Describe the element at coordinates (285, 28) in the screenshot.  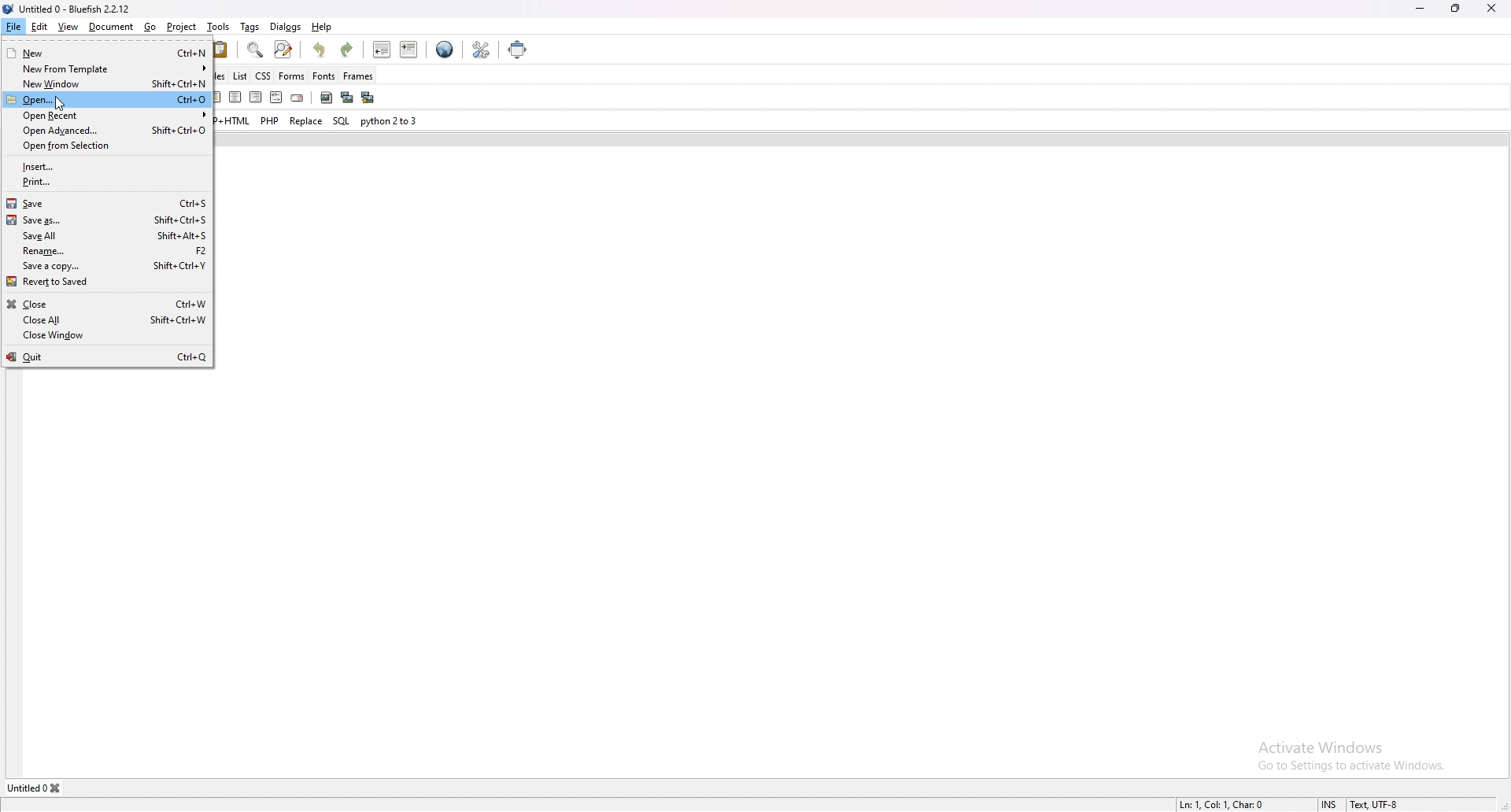
I see `dialogs` at that location.